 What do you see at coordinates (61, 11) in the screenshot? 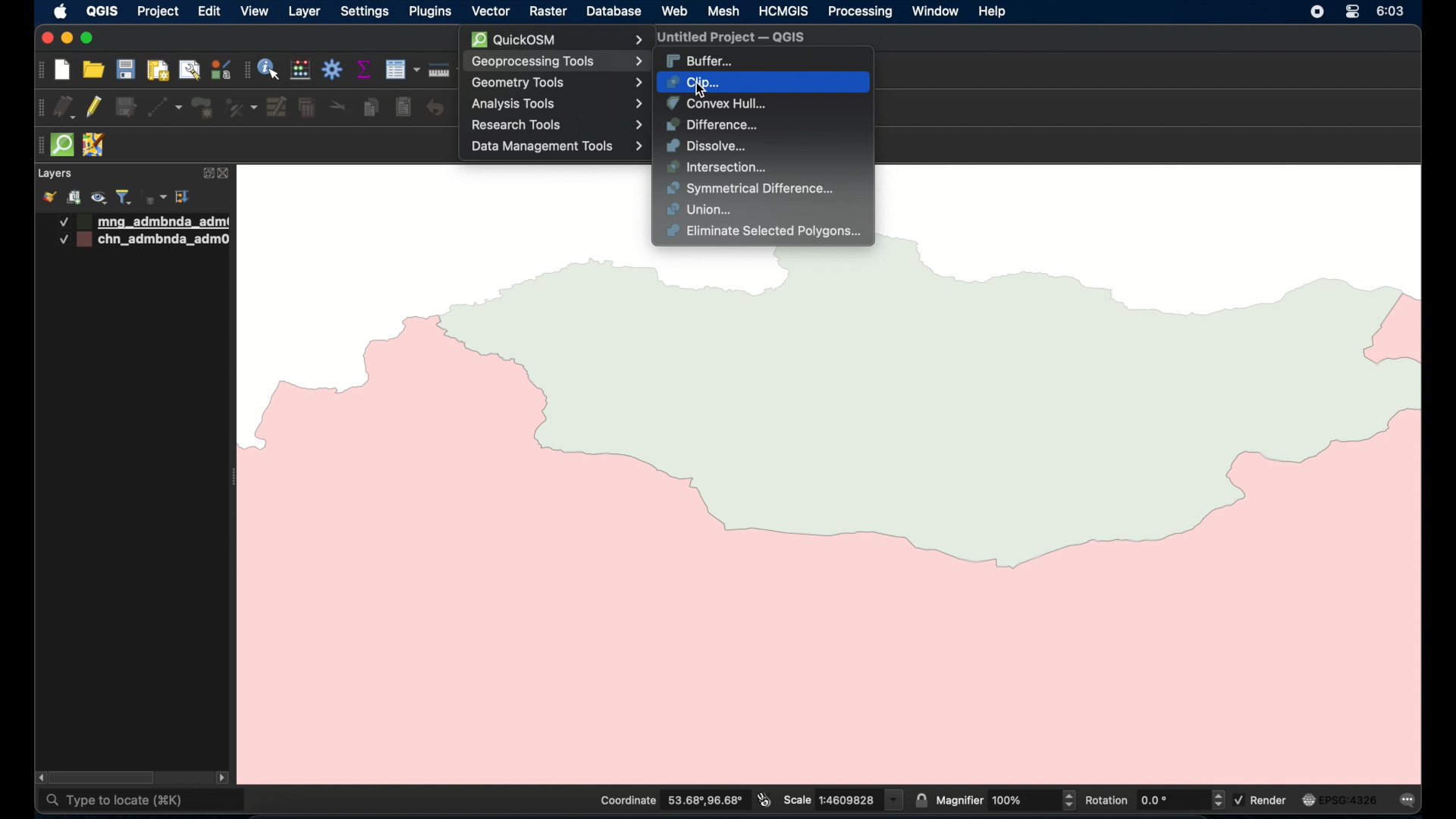
I see `apple icon` at bounding box center [61, 11].